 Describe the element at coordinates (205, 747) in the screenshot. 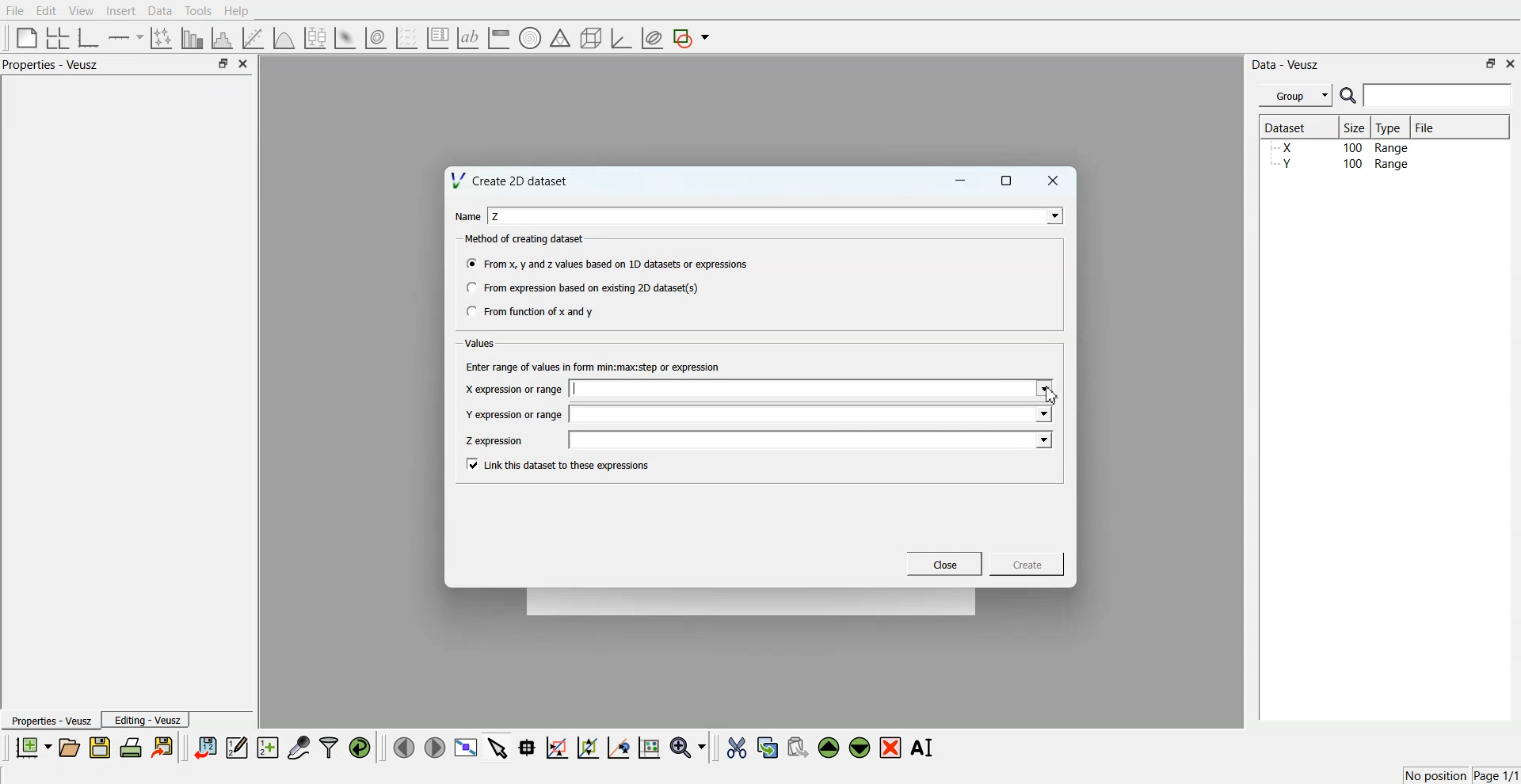

I see `Import dataset from veusz` at that location.